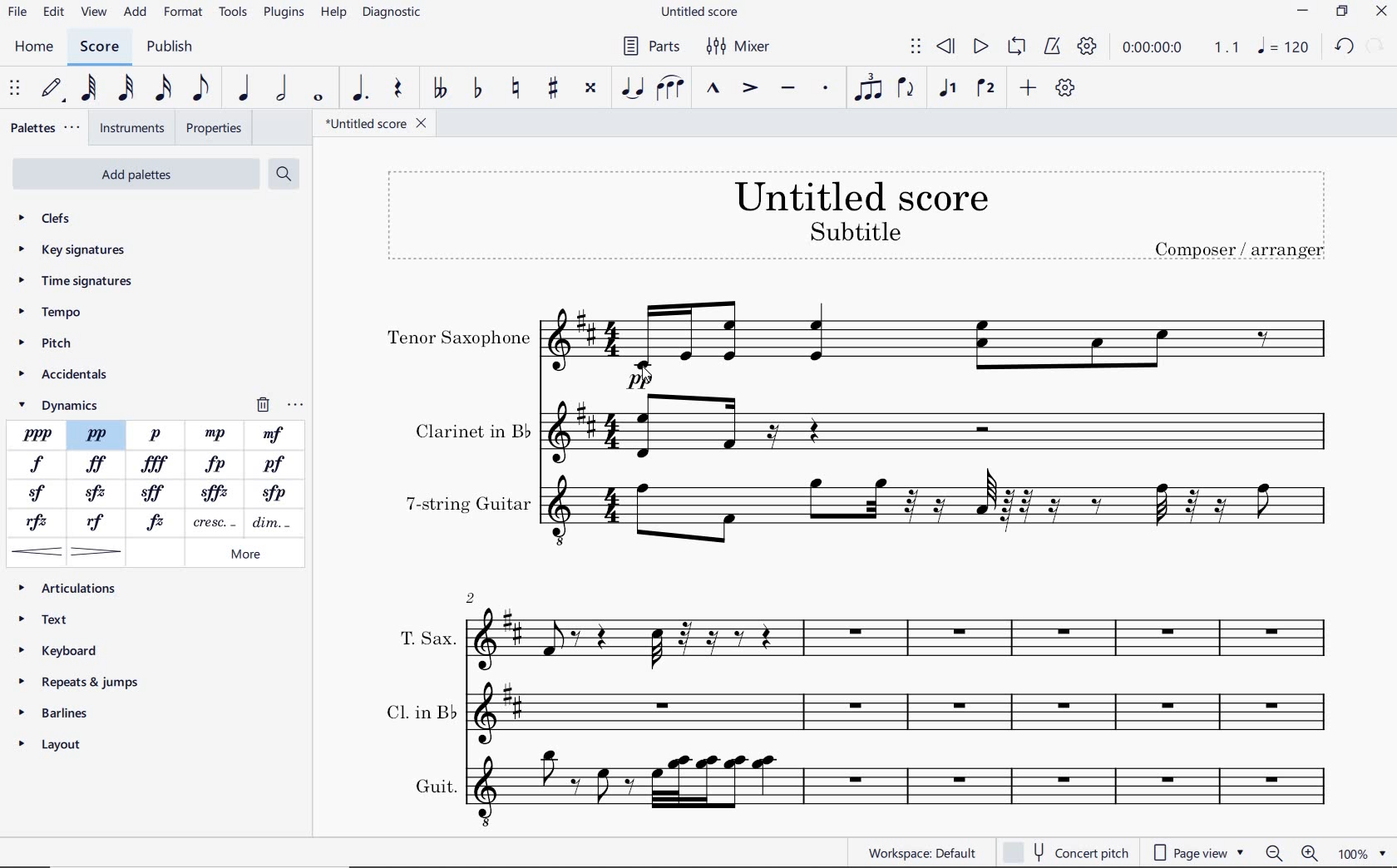 The width and height of the screenshot is (1397, 868). What do you see at coordinates (47, 345) in the screenshot?
I see `pitch` at bounding box center [47, 345].